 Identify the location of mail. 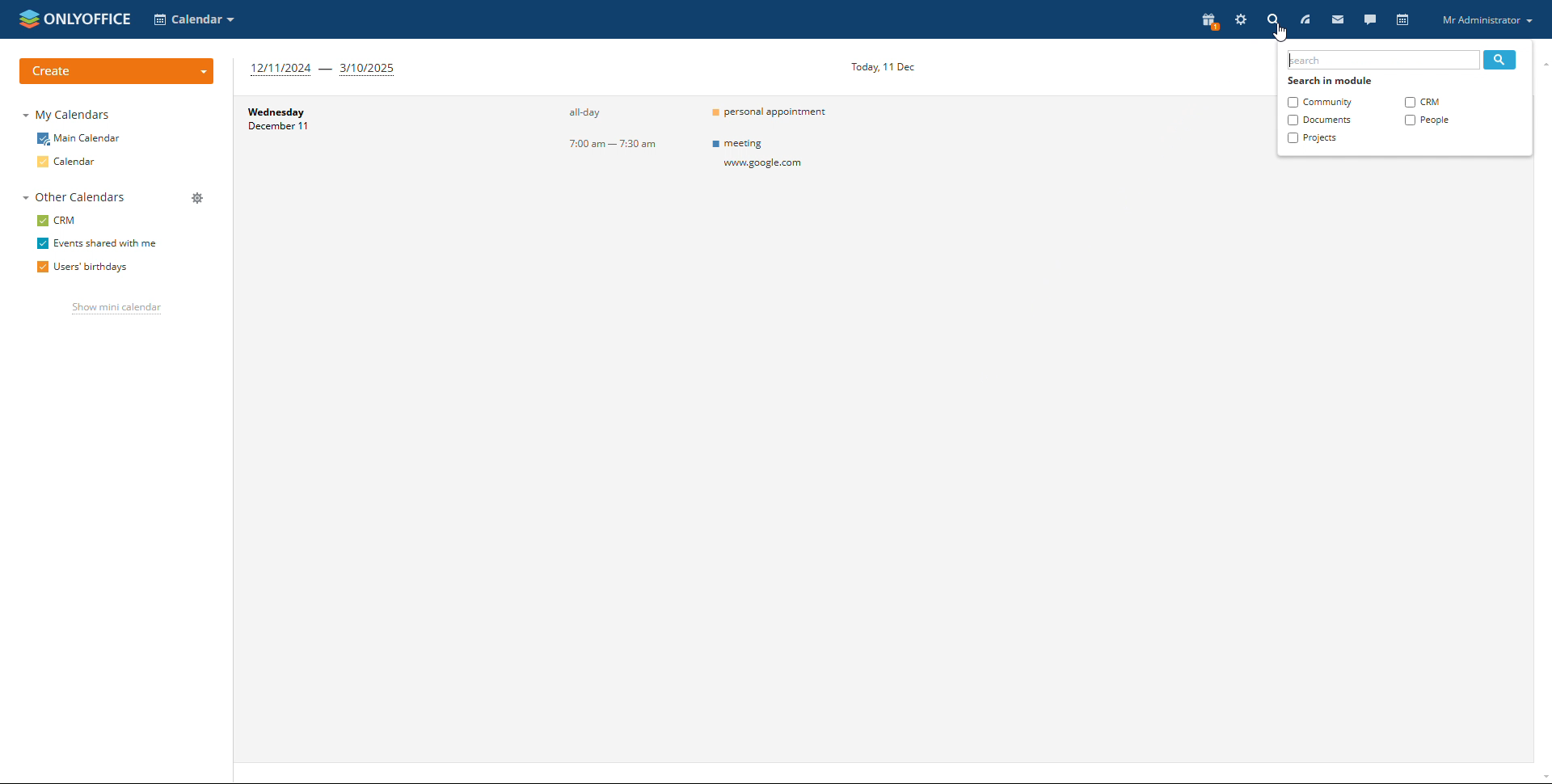
(1336, 19).